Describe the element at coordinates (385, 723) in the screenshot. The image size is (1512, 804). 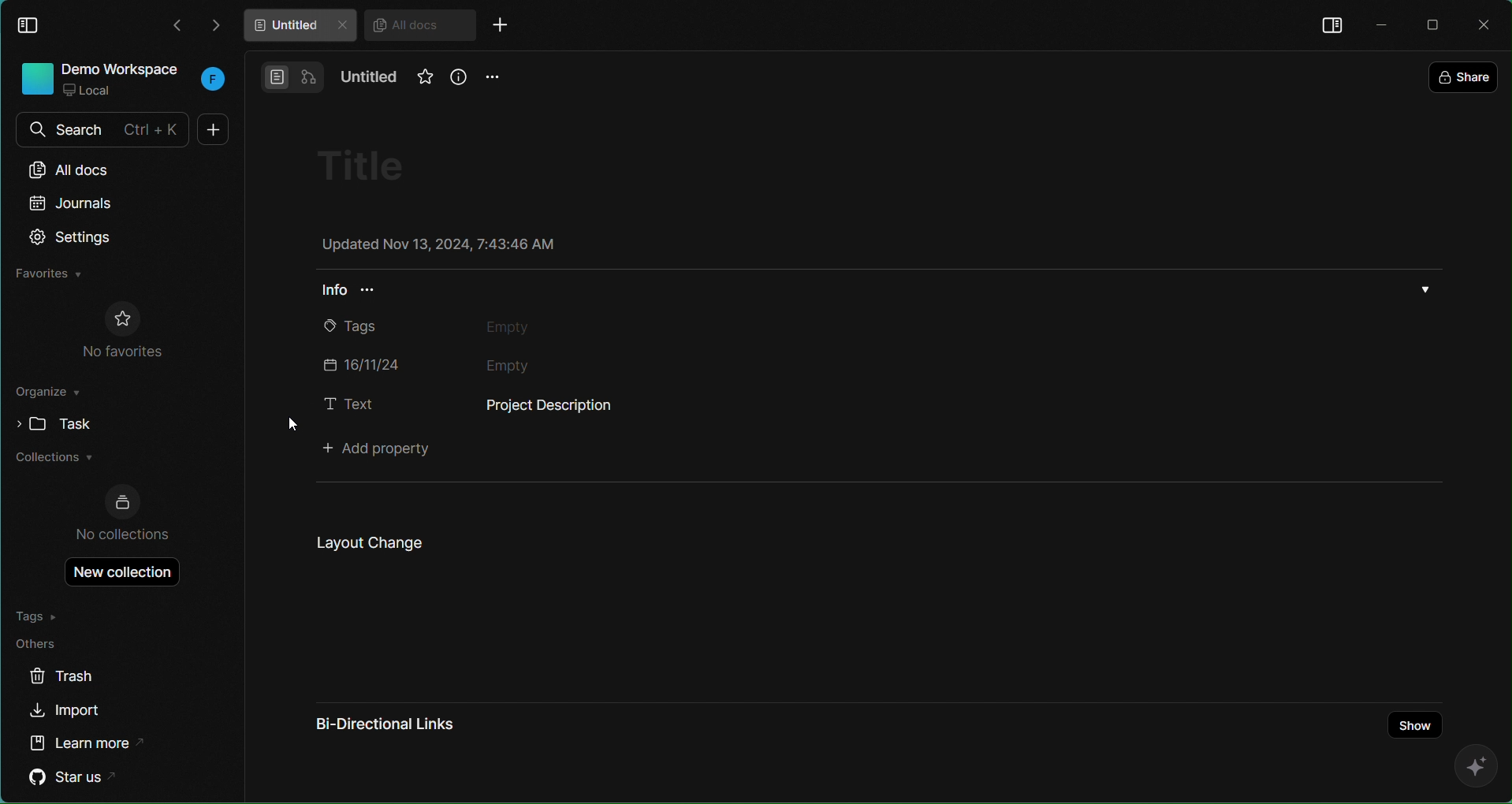
I see `Bi-Directional Links` at that location.